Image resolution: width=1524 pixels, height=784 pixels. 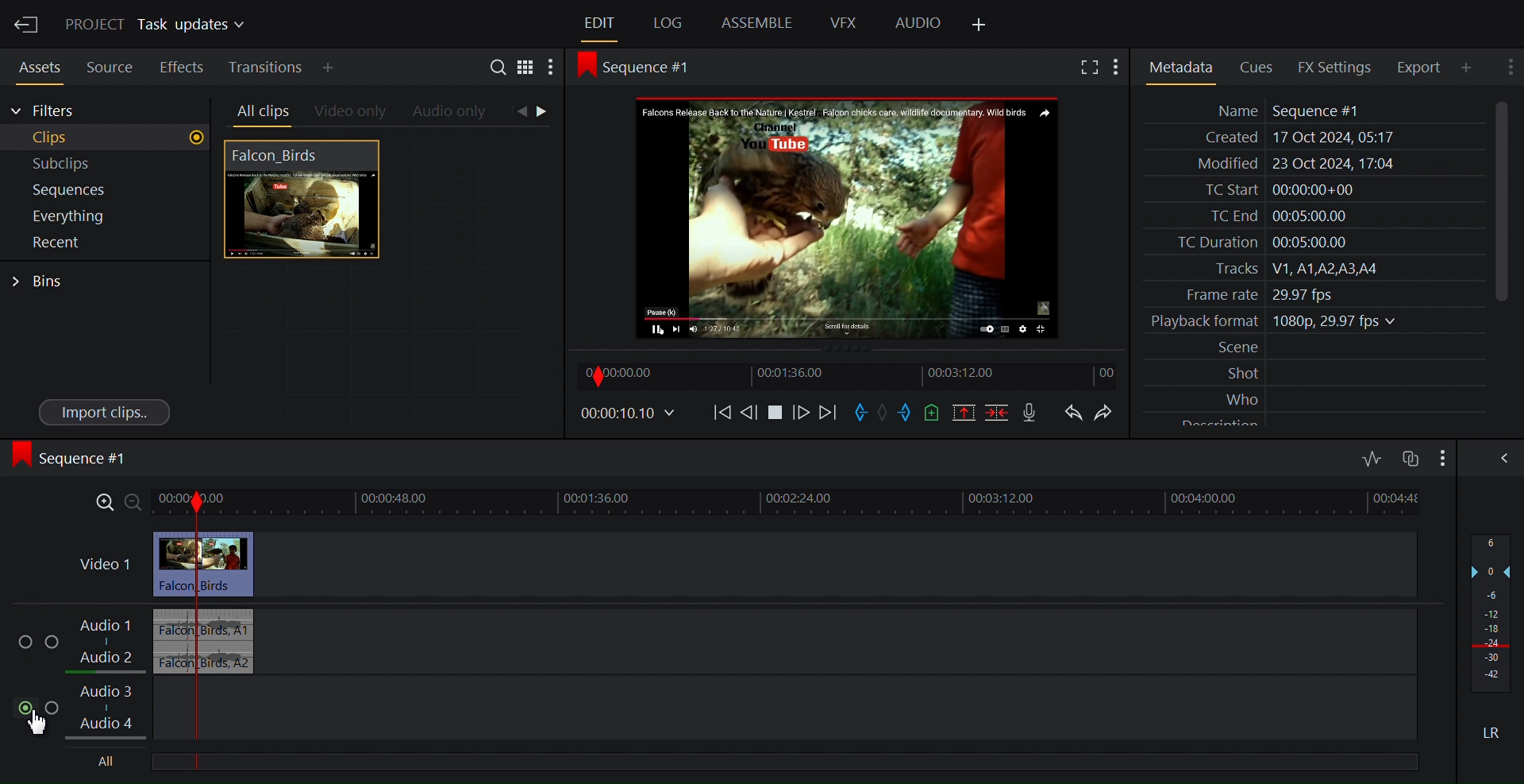 What do you see at coordinates (1307, 292) in the screenshot?
I see `Frame rate` at bounding box center [1307, 292].